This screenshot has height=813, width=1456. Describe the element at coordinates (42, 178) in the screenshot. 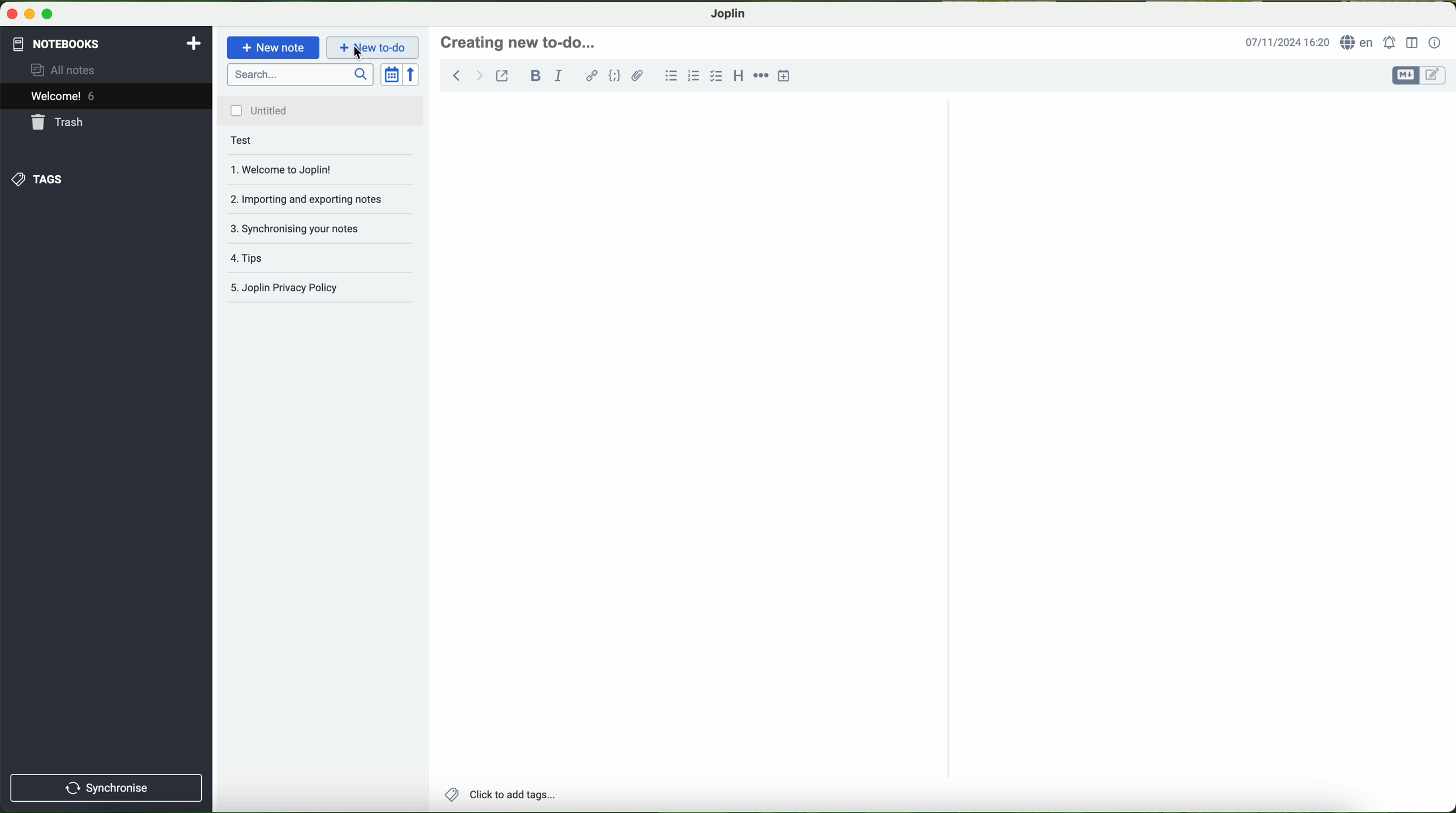

I see `tags` at that location.